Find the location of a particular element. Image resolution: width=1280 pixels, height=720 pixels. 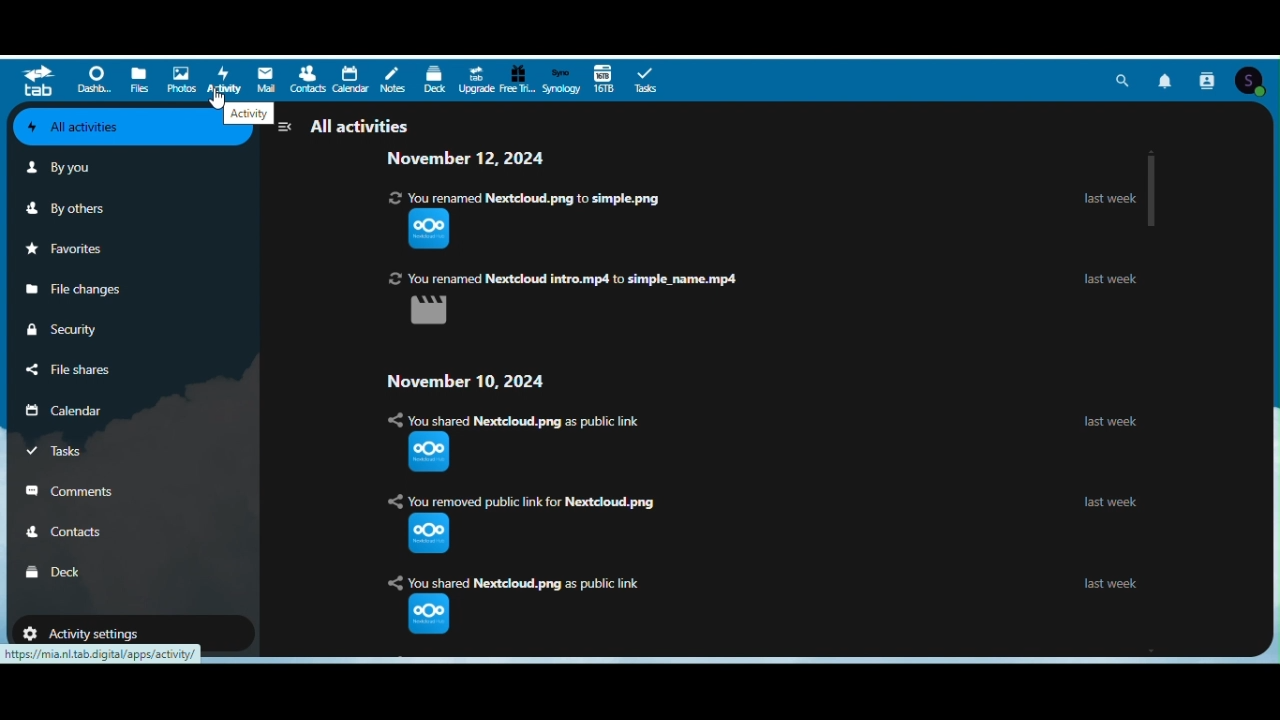

Synology is located at coordinates (561, 82).